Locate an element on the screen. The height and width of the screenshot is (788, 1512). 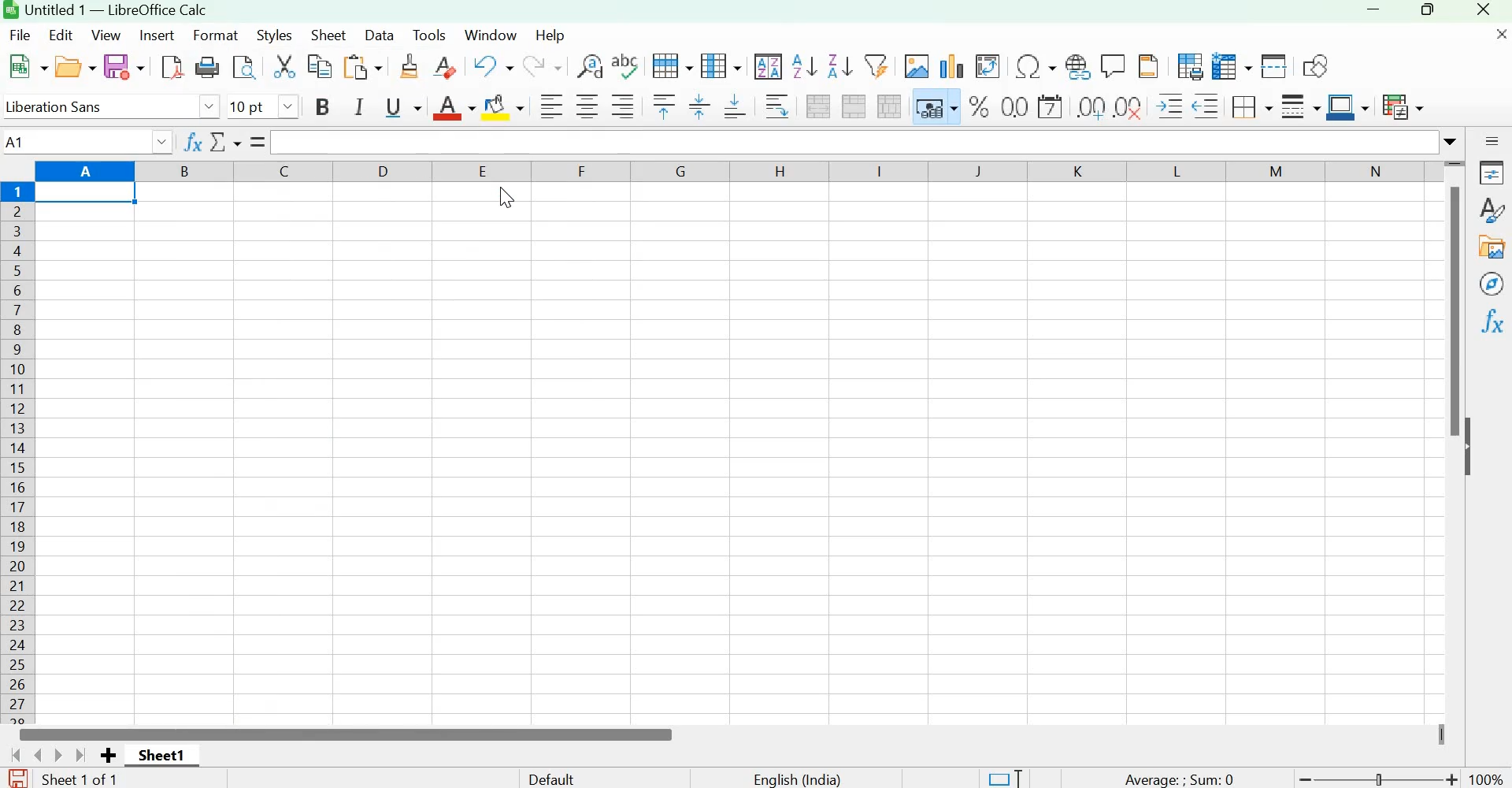
Add decimal point is located at coordinates (1086, 106).